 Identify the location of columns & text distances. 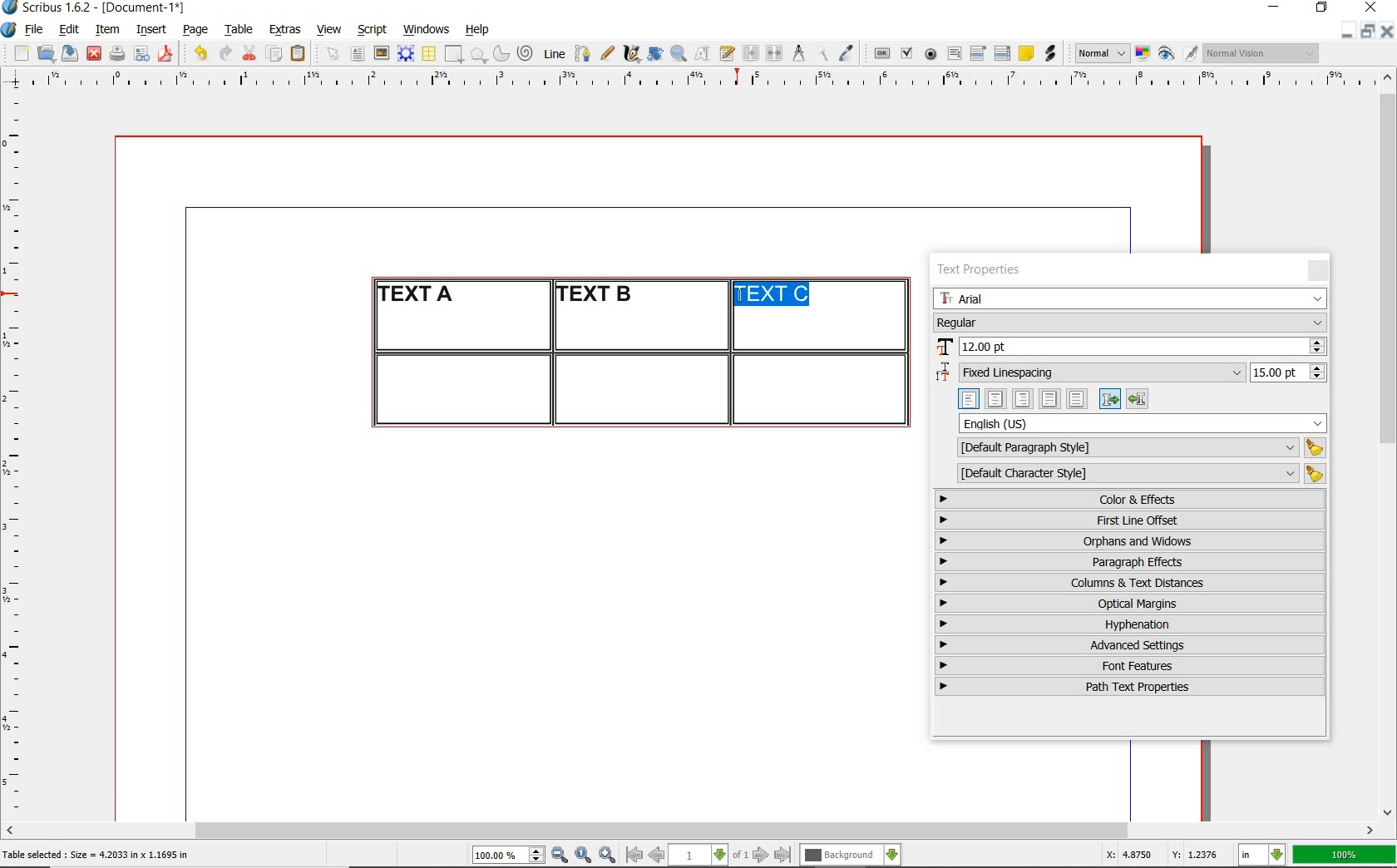
(1133, 583).